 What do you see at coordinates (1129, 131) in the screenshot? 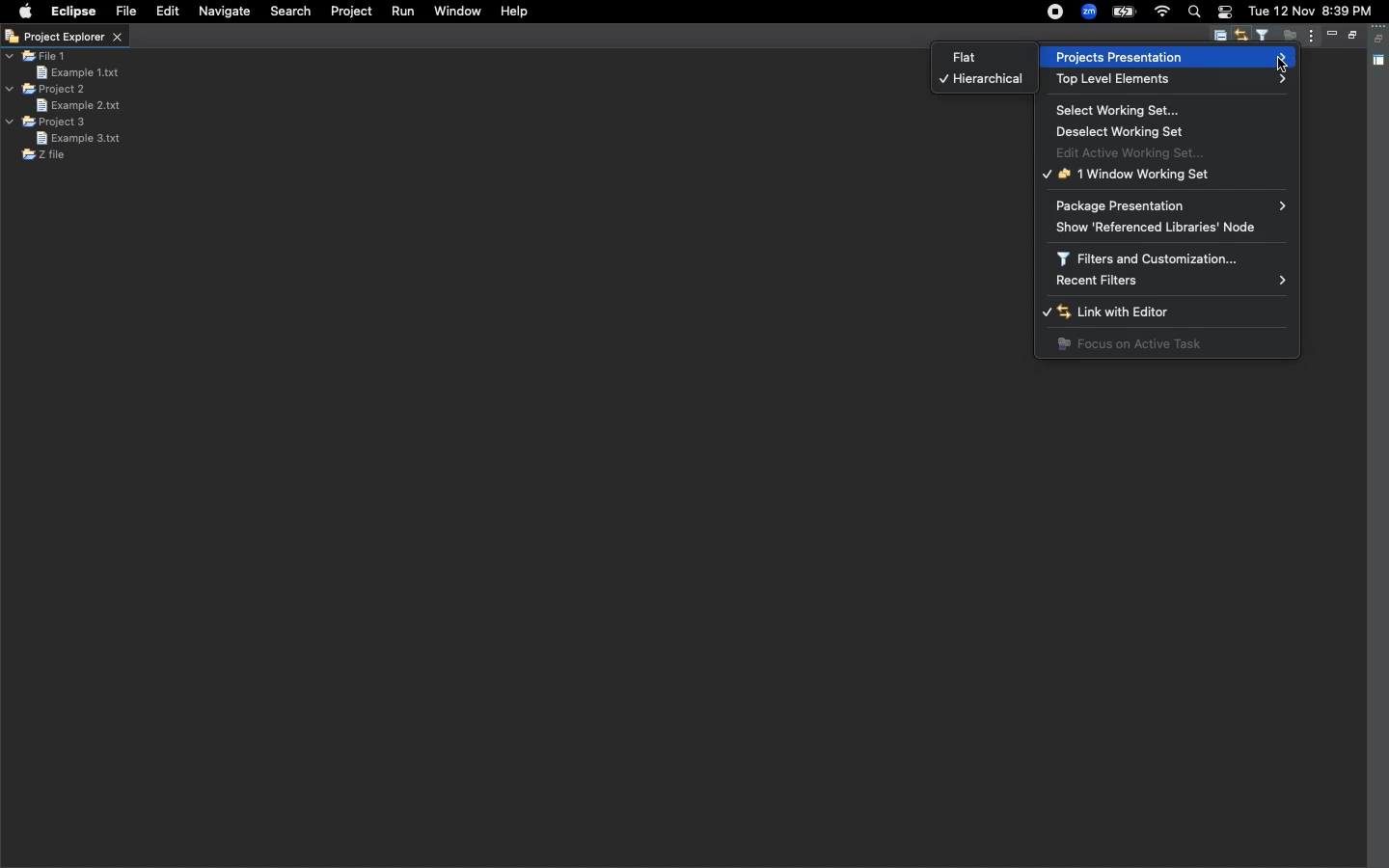
I see `Deselect working set` at bounding box center [1129, 131].